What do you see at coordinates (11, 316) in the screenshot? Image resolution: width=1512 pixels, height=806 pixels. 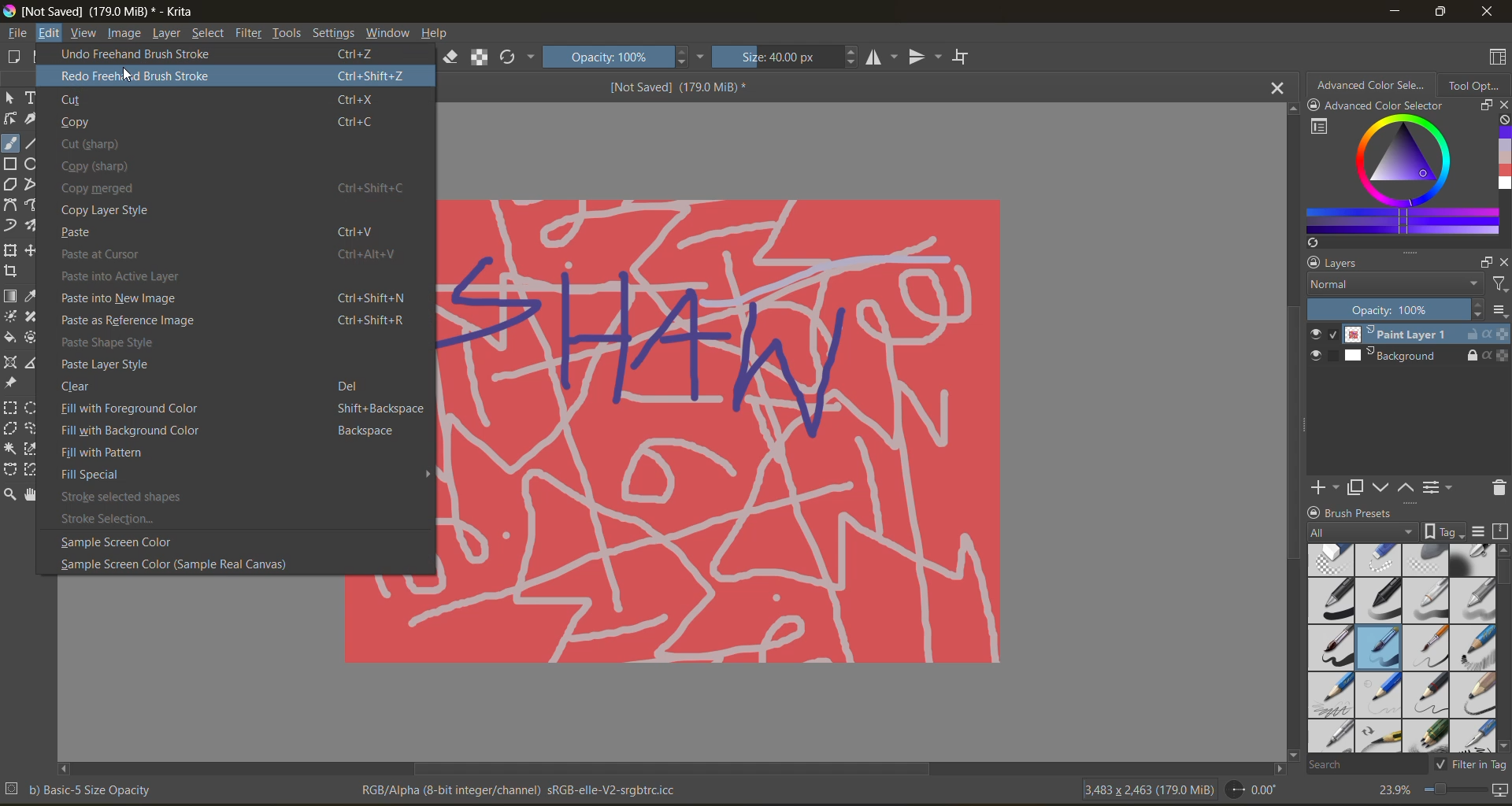 I see `colorize mask tool` at bounding box center [11, 316].